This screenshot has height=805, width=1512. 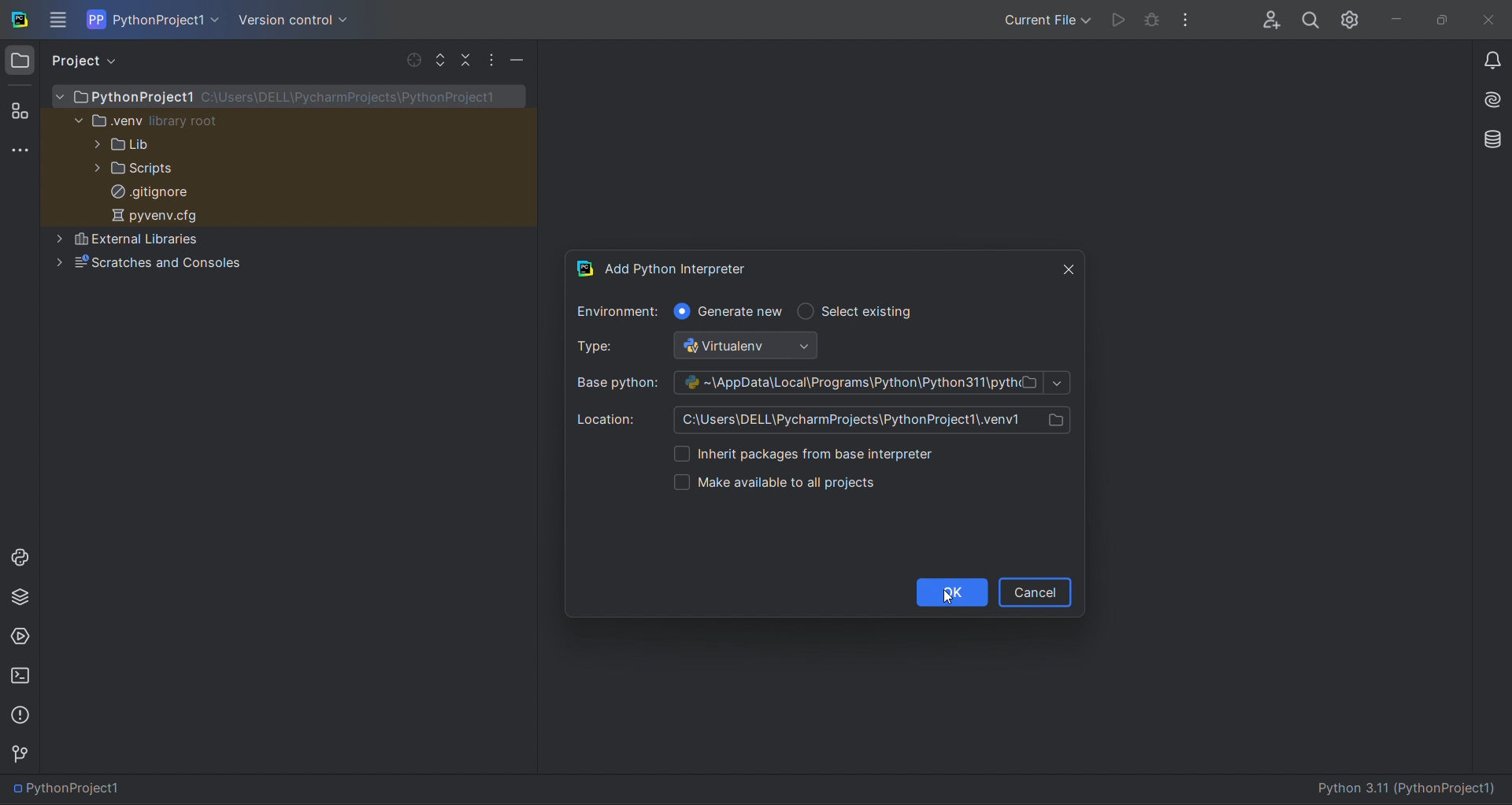 I want to click on terminal, so click(x=23, y=677).